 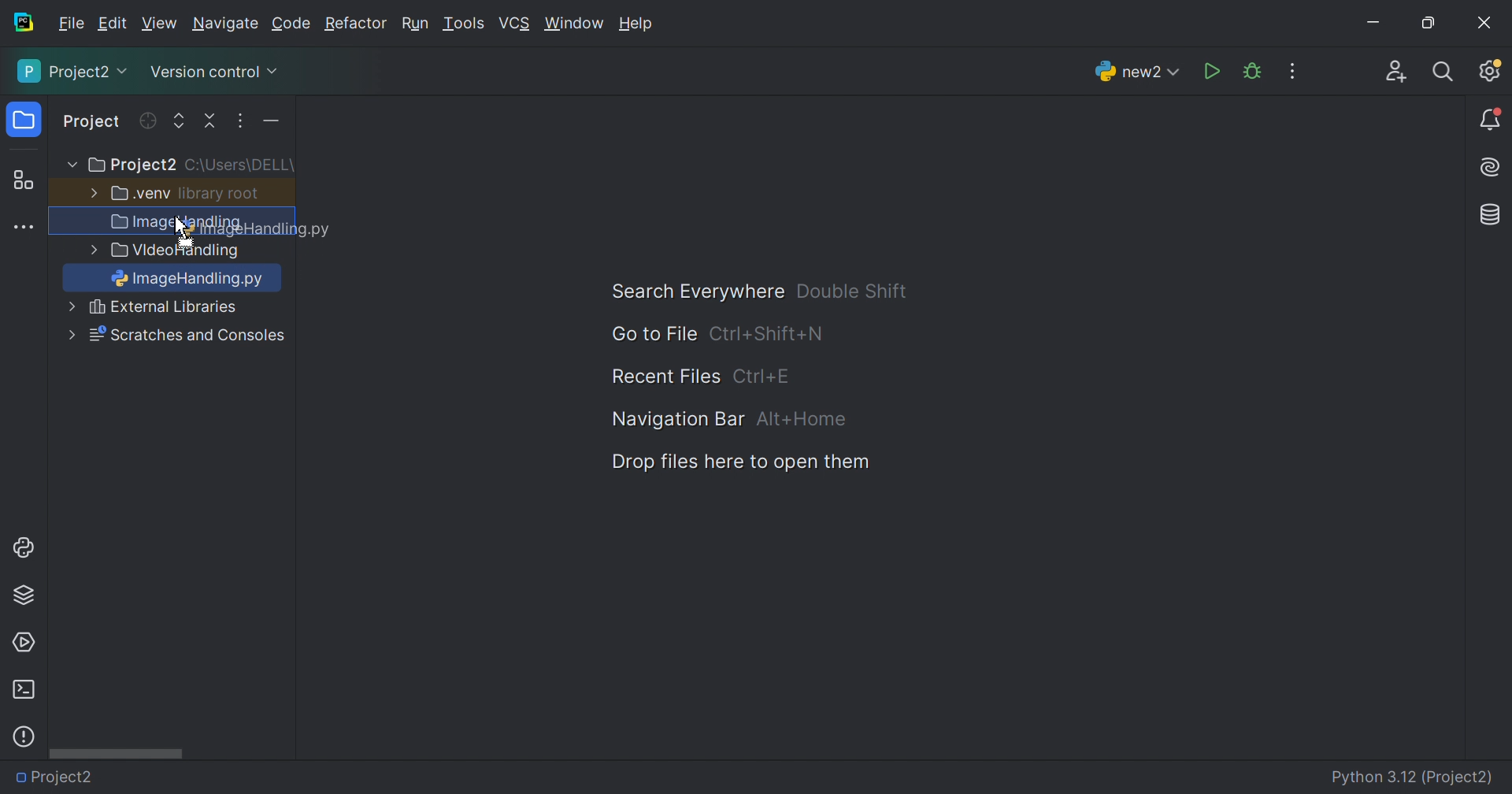 What do you see at coordinates (766, 335) in the screenshot?
I see `Ctrl+Shuft+N` at bounding box center [766, 335].